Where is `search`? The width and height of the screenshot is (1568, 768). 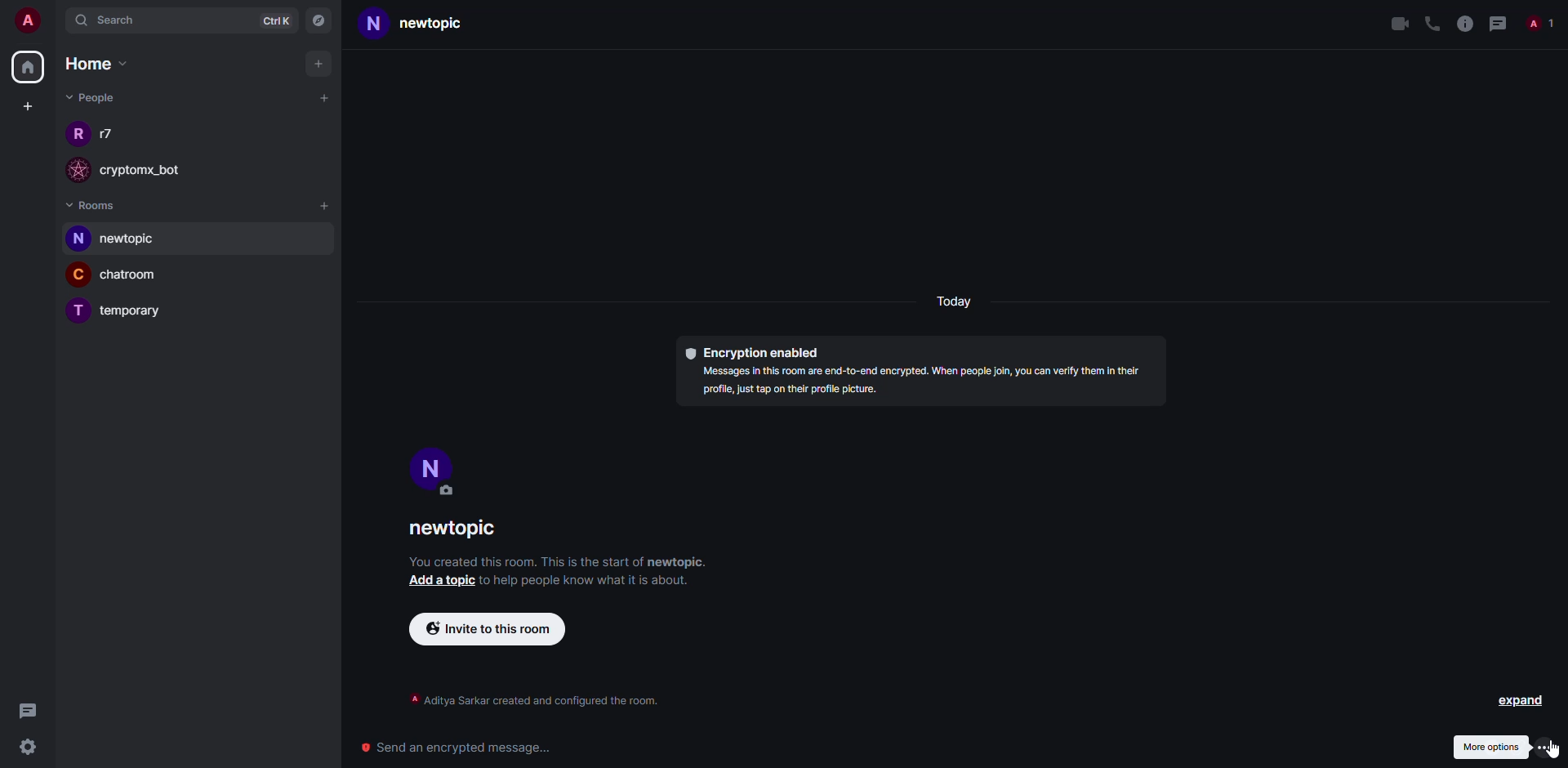 search is located at coordinates (110, 21).